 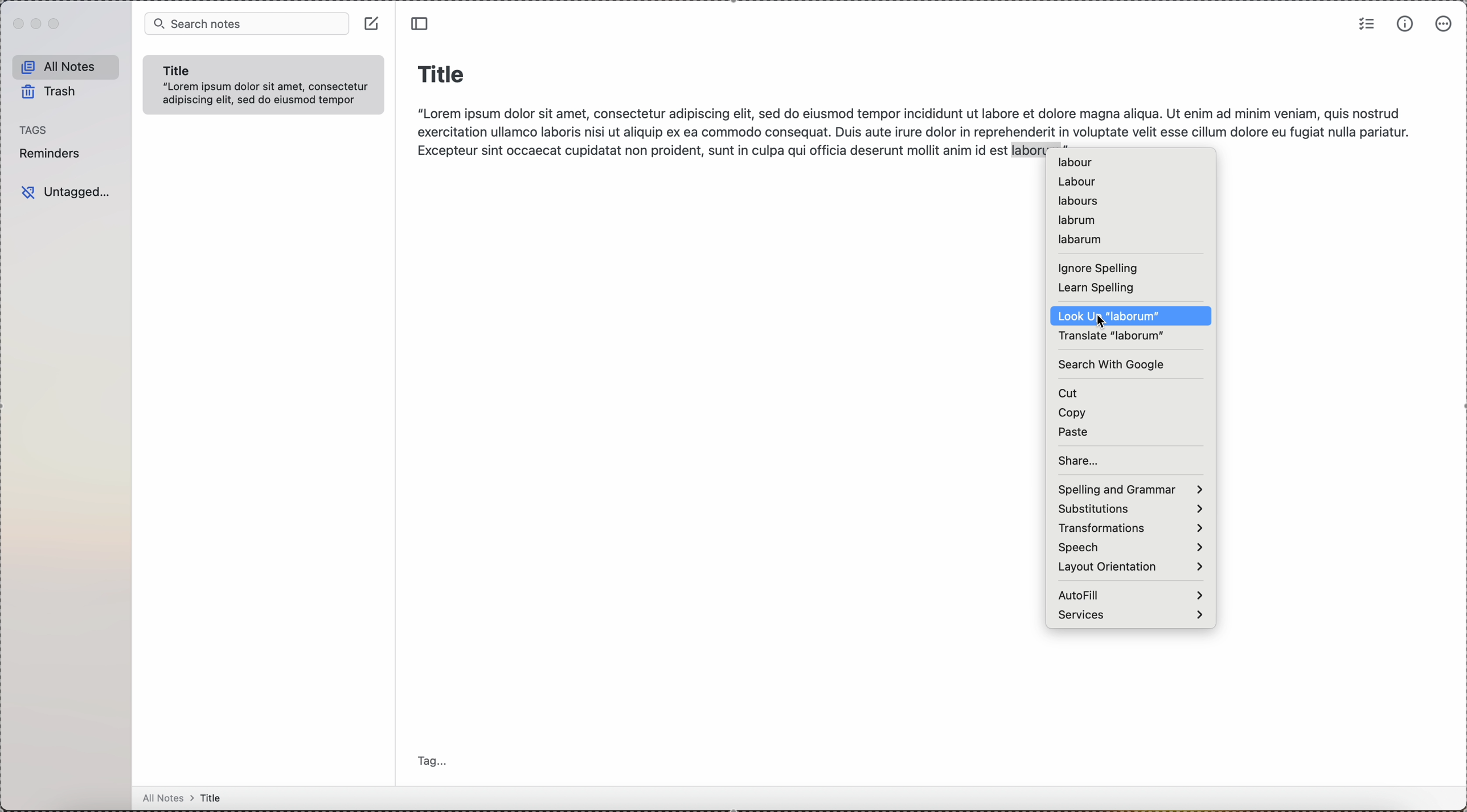 I want to click on paste, so click(x=1072, y=433).